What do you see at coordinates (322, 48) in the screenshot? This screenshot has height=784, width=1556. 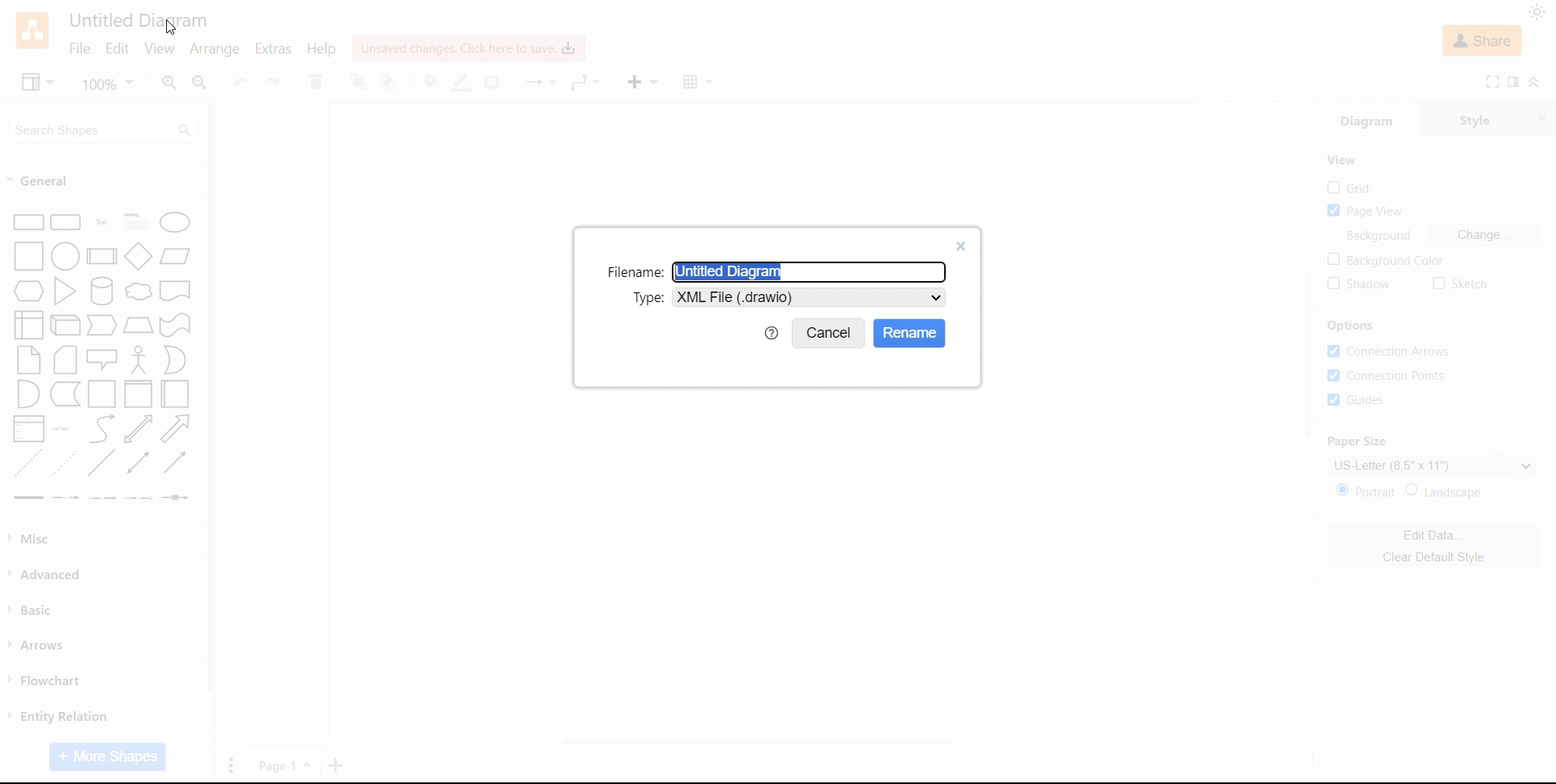 I see `Help ` at bounding box center [322, 48].